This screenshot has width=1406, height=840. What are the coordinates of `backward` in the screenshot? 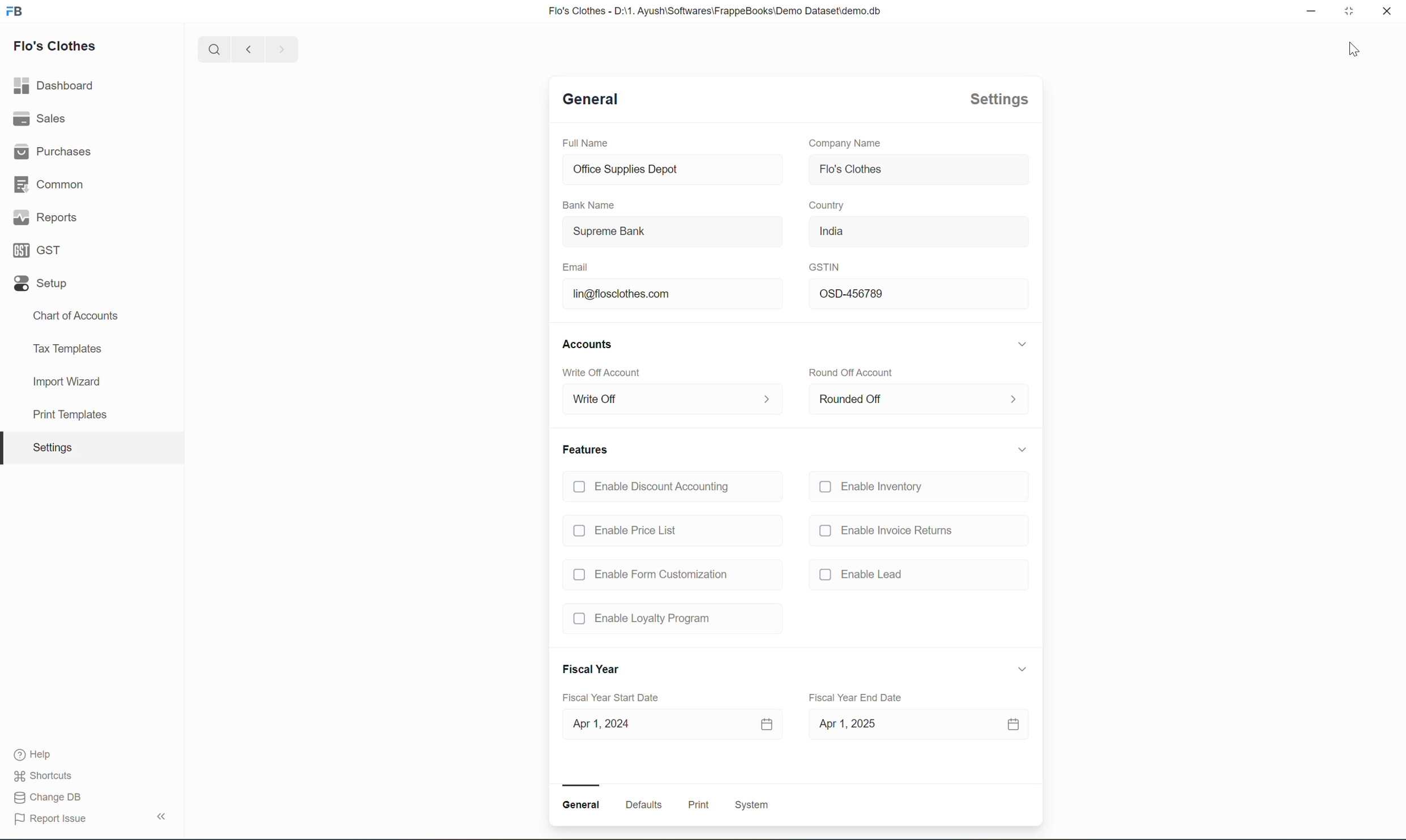 It's located at (250, 49).